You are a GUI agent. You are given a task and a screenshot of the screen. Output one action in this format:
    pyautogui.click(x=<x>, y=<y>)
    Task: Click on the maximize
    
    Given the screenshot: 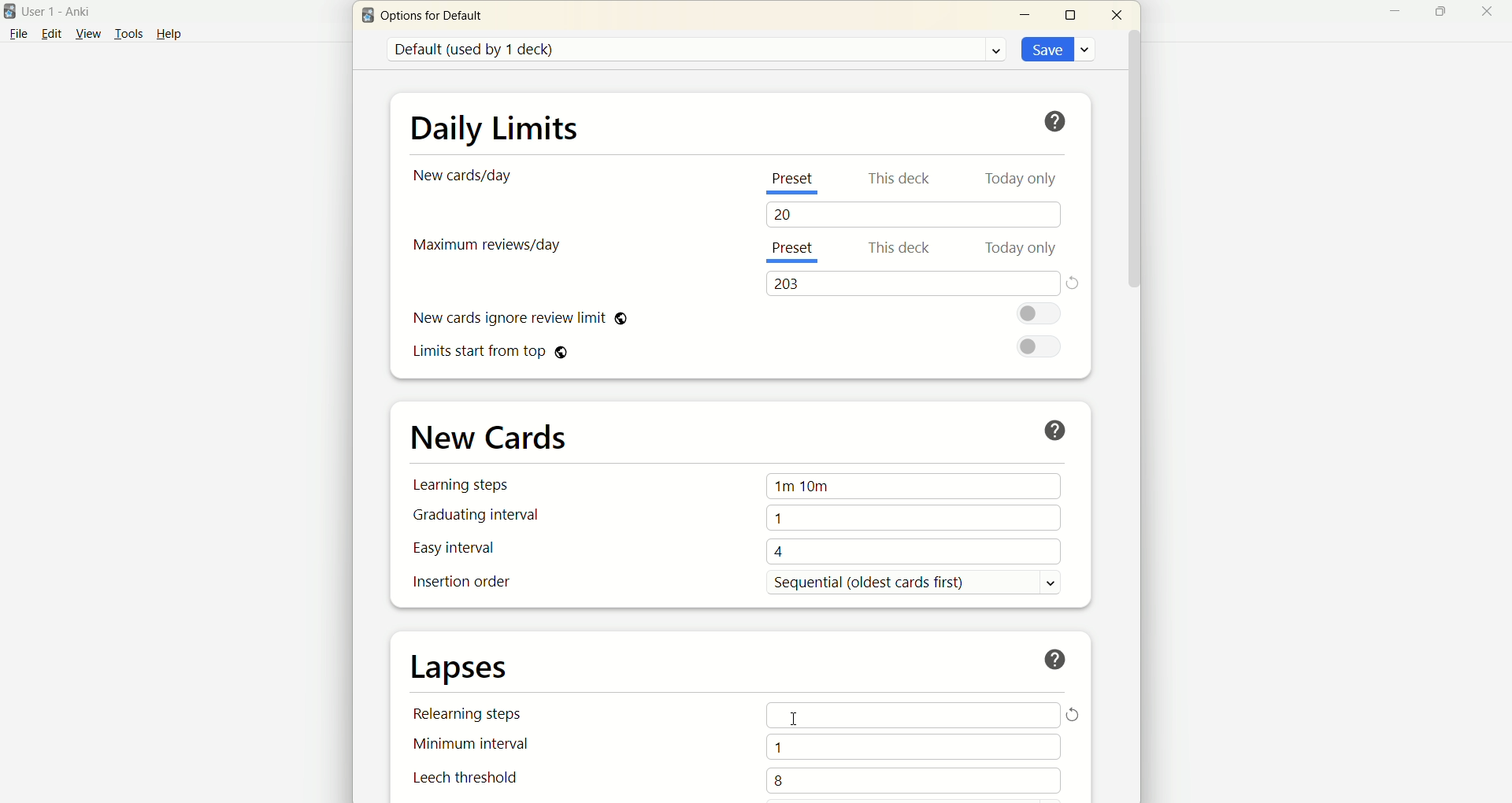 What is the action you would take?
    pyautogui.click(x=1434, y=11)
    